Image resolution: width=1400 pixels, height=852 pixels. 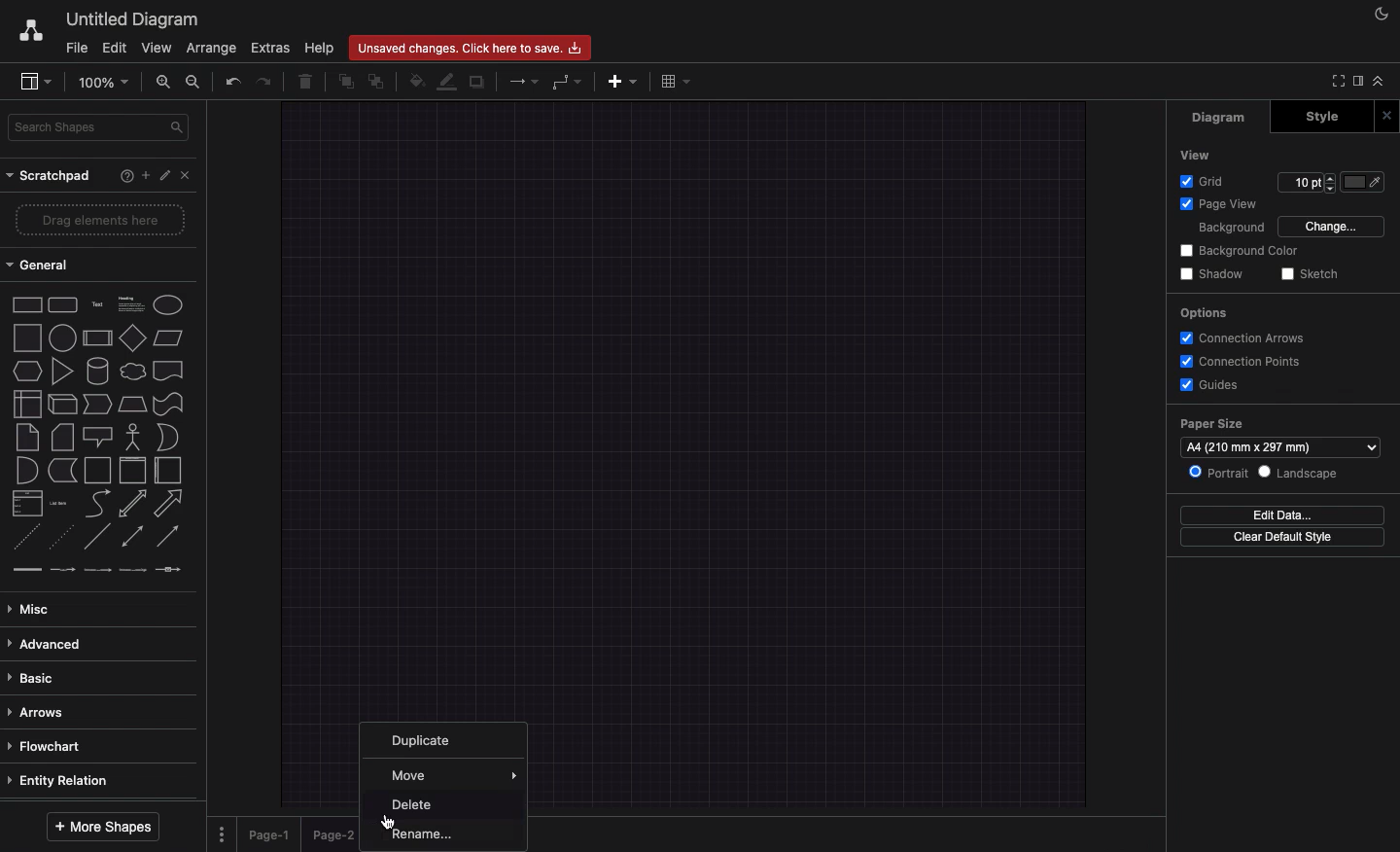 What do you see at coordinates (116, 47) in the screenshot?
I see `Edit` at bounding box center [116, 47].